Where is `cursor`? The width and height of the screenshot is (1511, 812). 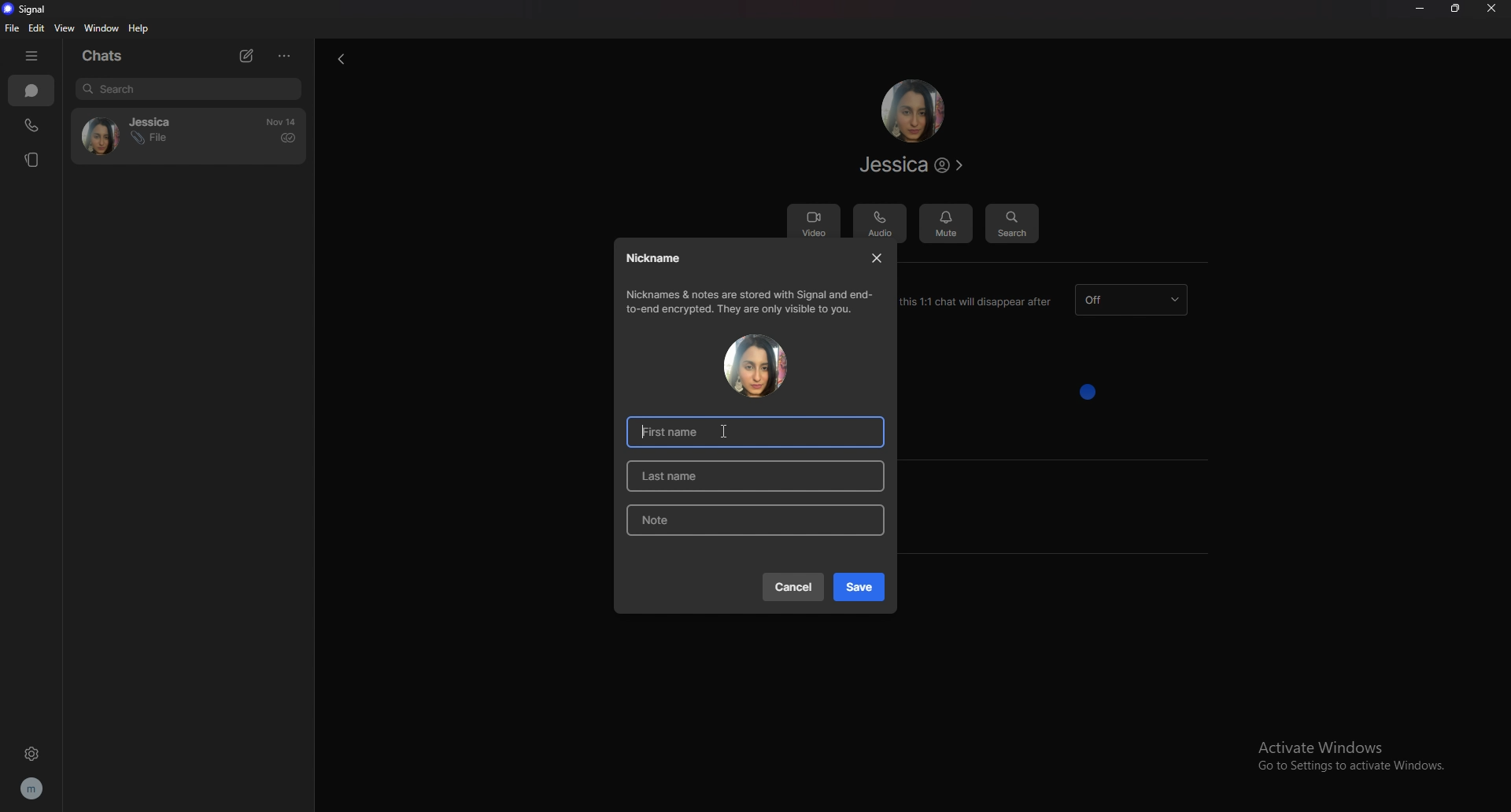
cursor is located at coordinates (721, 432).